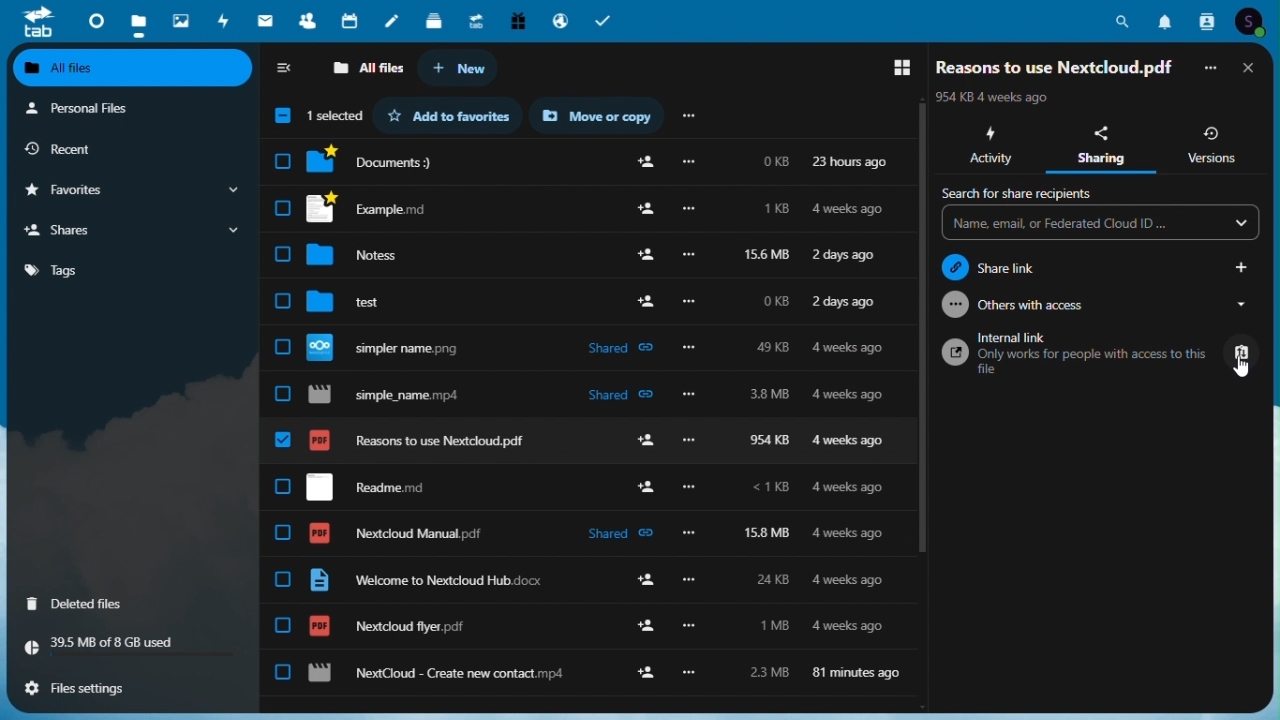 The image size is (1280, 720). What do you see at coordinates (917, 326) in the screenshot?
I see `scroll bar` at bounding box center [917, 326].